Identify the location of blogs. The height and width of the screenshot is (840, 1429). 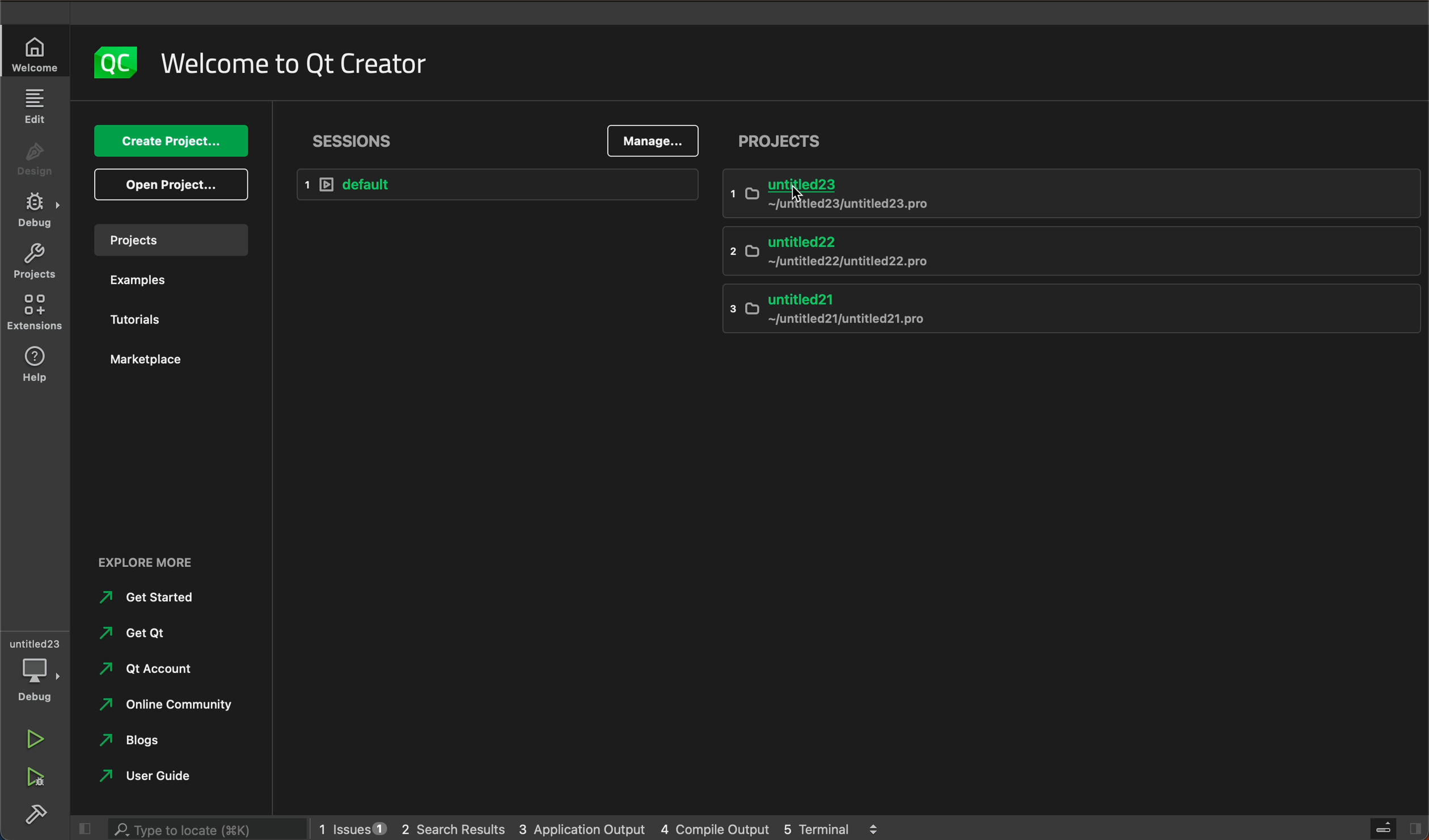
(135, 741).